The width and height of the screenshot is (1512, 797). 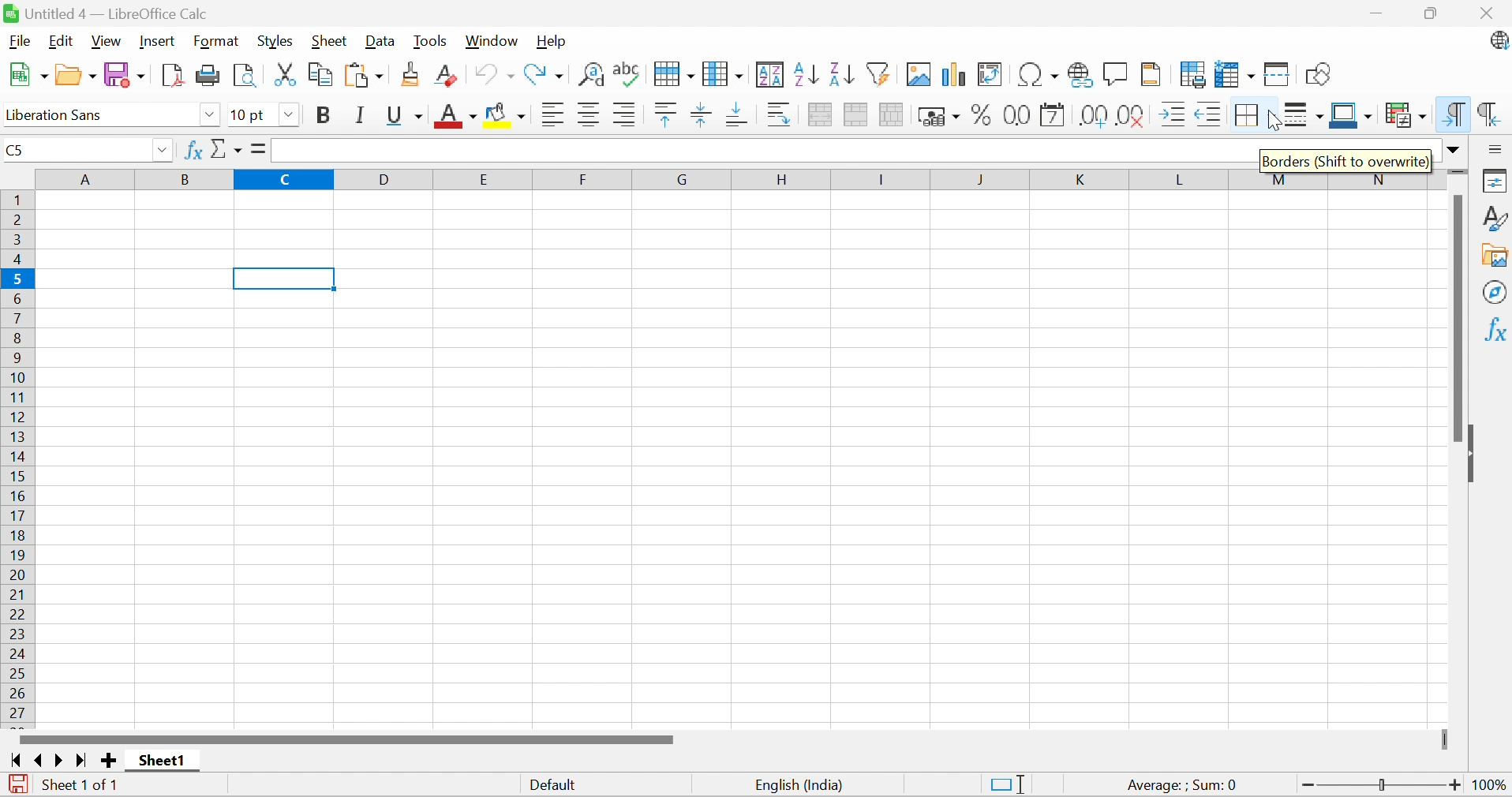 I want to click on Styles, so click(x=275, y=42).